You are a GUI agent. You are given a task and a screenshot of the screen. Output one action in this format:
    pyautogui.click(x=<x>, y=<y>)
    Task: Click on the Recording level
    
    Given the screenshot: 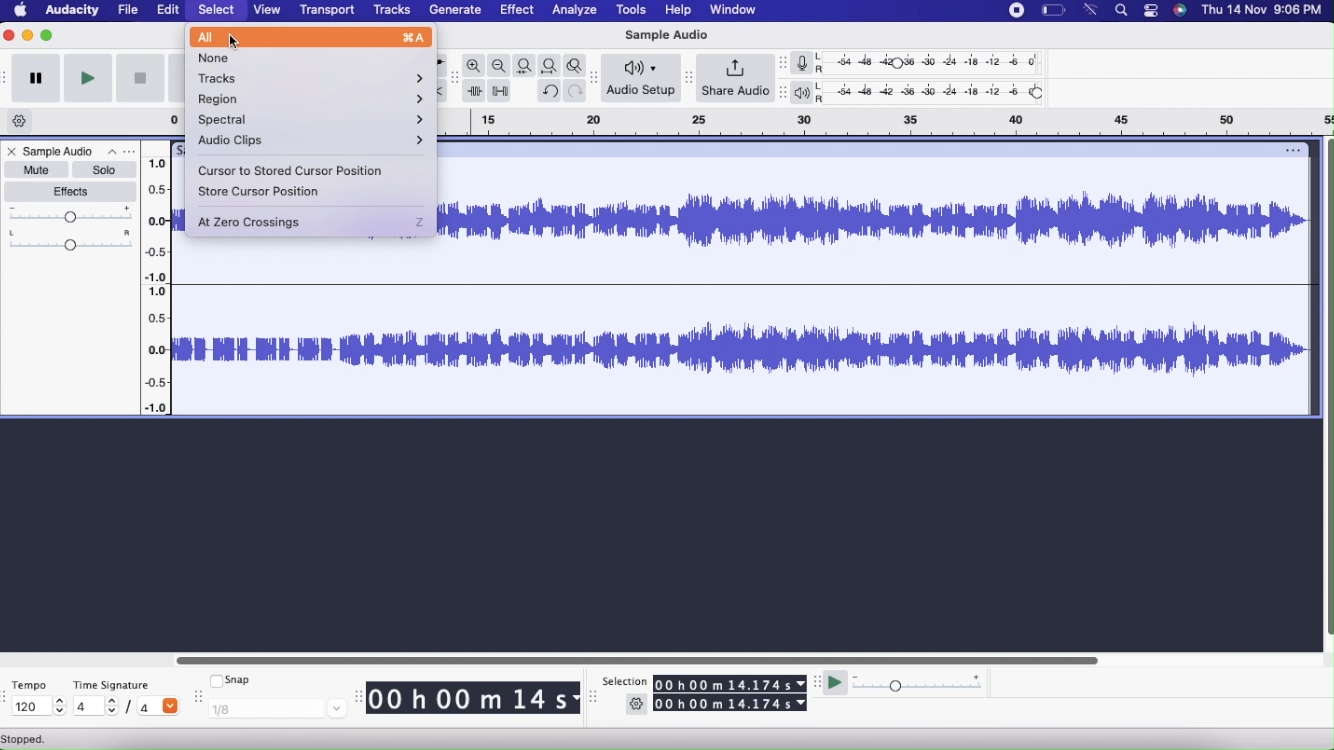 What is the action you would take?
    pyautogui.click(x=935, y=61)
    